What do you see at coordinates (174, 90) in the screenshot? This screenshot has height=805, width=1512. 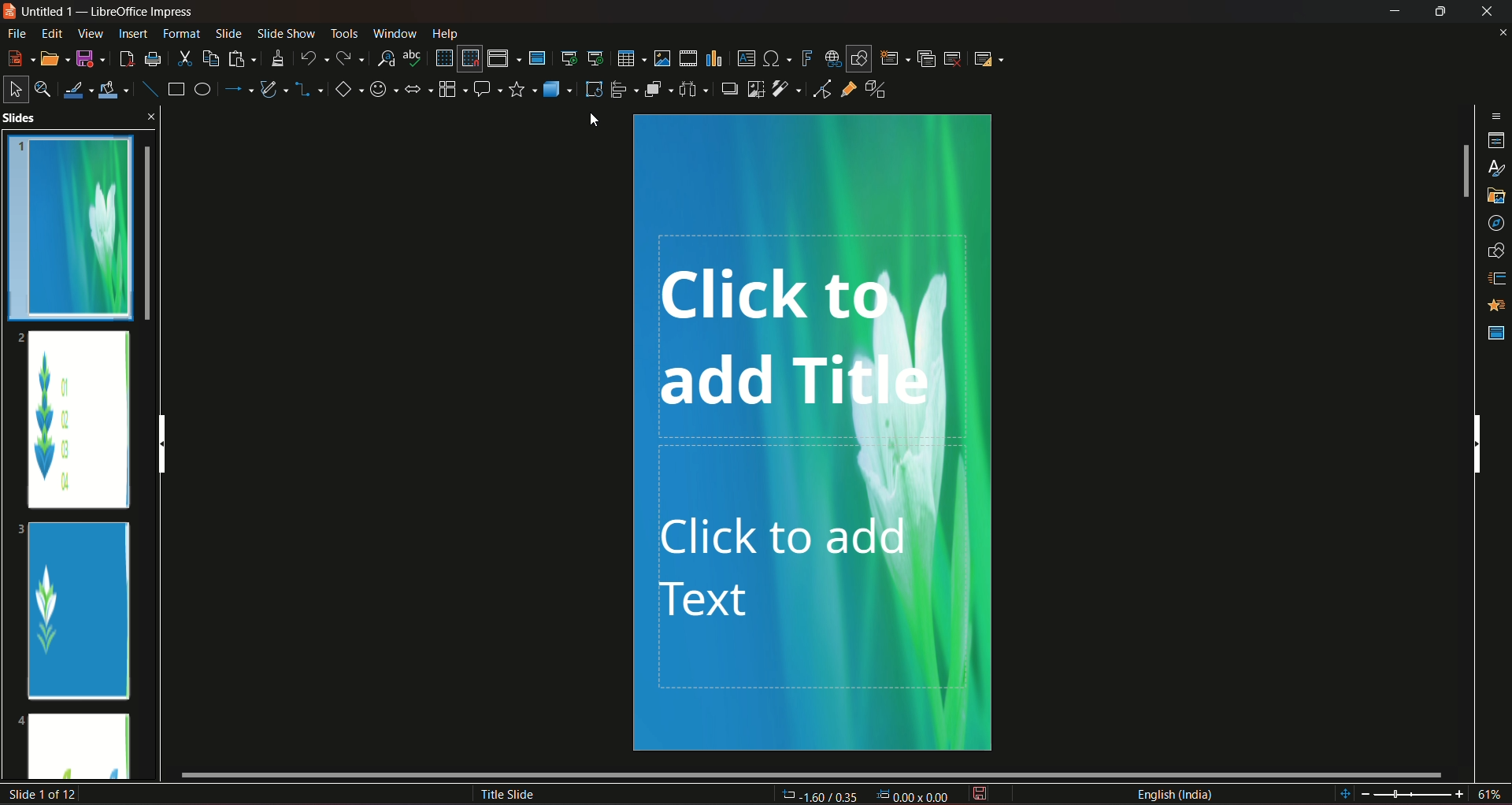 I see `rectangle` at bounding box center [174, 90].